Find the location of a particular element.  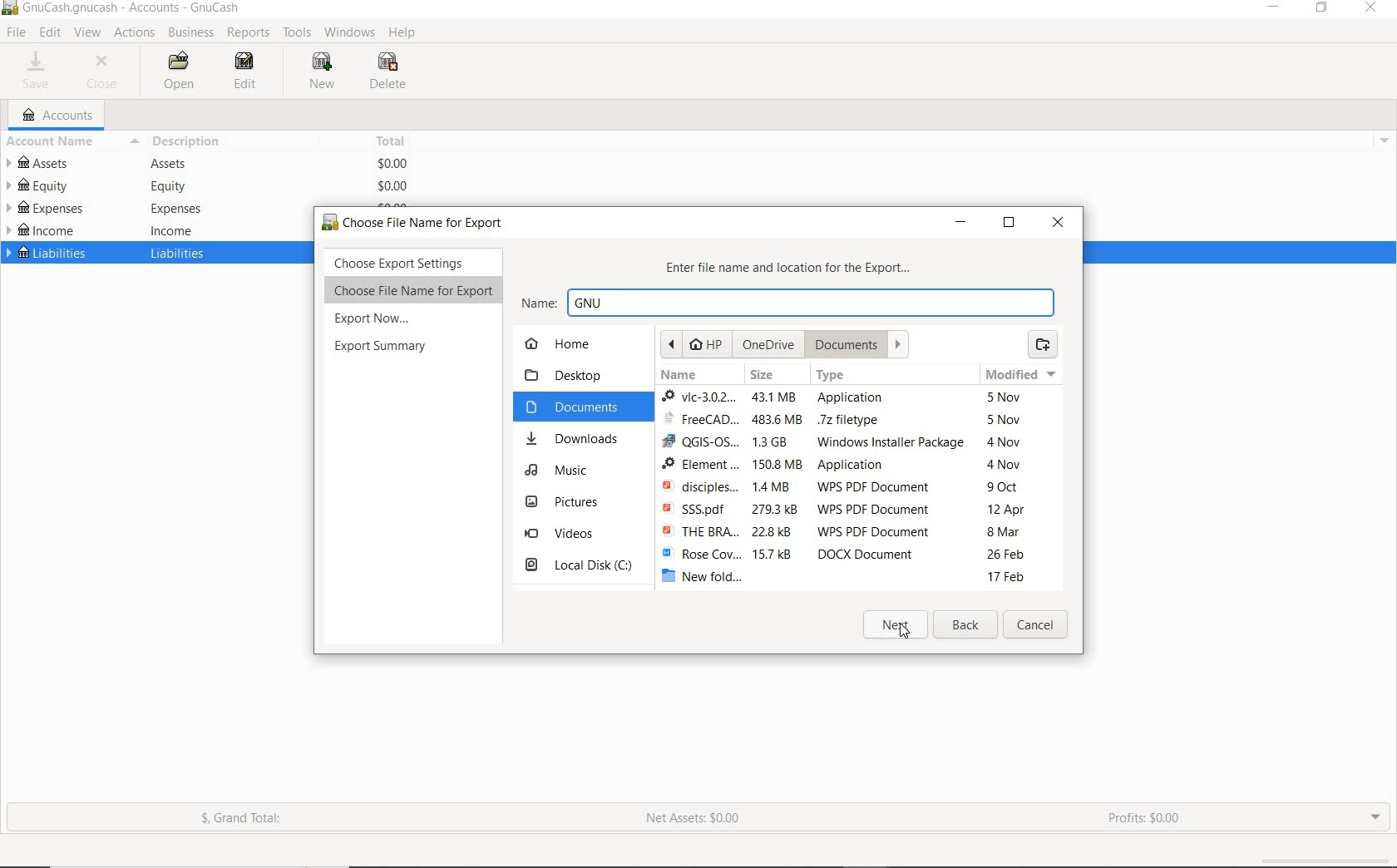

back is located at coordinates (967, 627).